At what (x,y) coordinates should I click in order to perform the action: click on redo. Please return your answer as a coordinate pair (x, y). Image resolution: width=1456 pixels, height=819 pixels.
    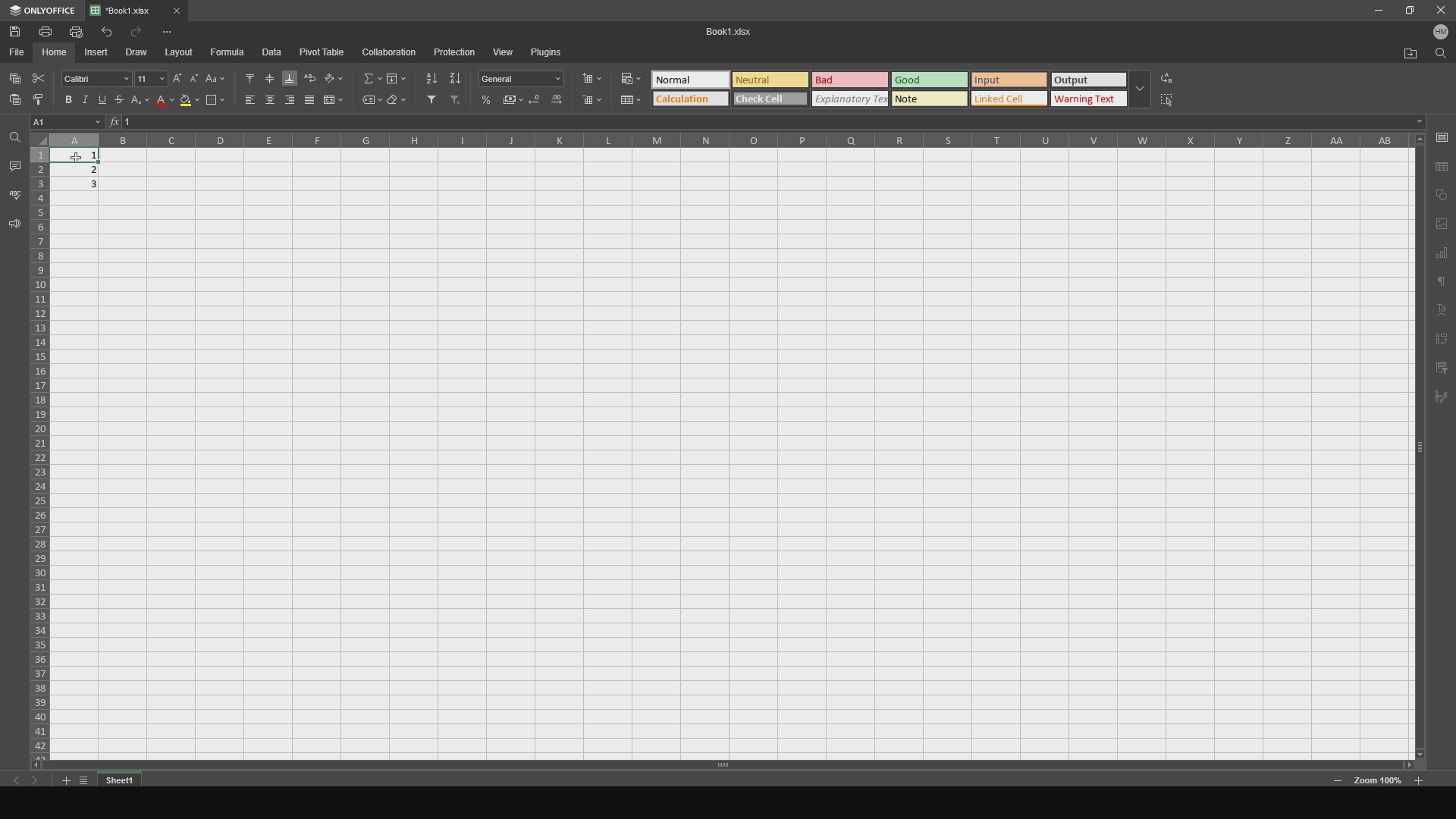
    Looking at the image, I should click on (139, 32).